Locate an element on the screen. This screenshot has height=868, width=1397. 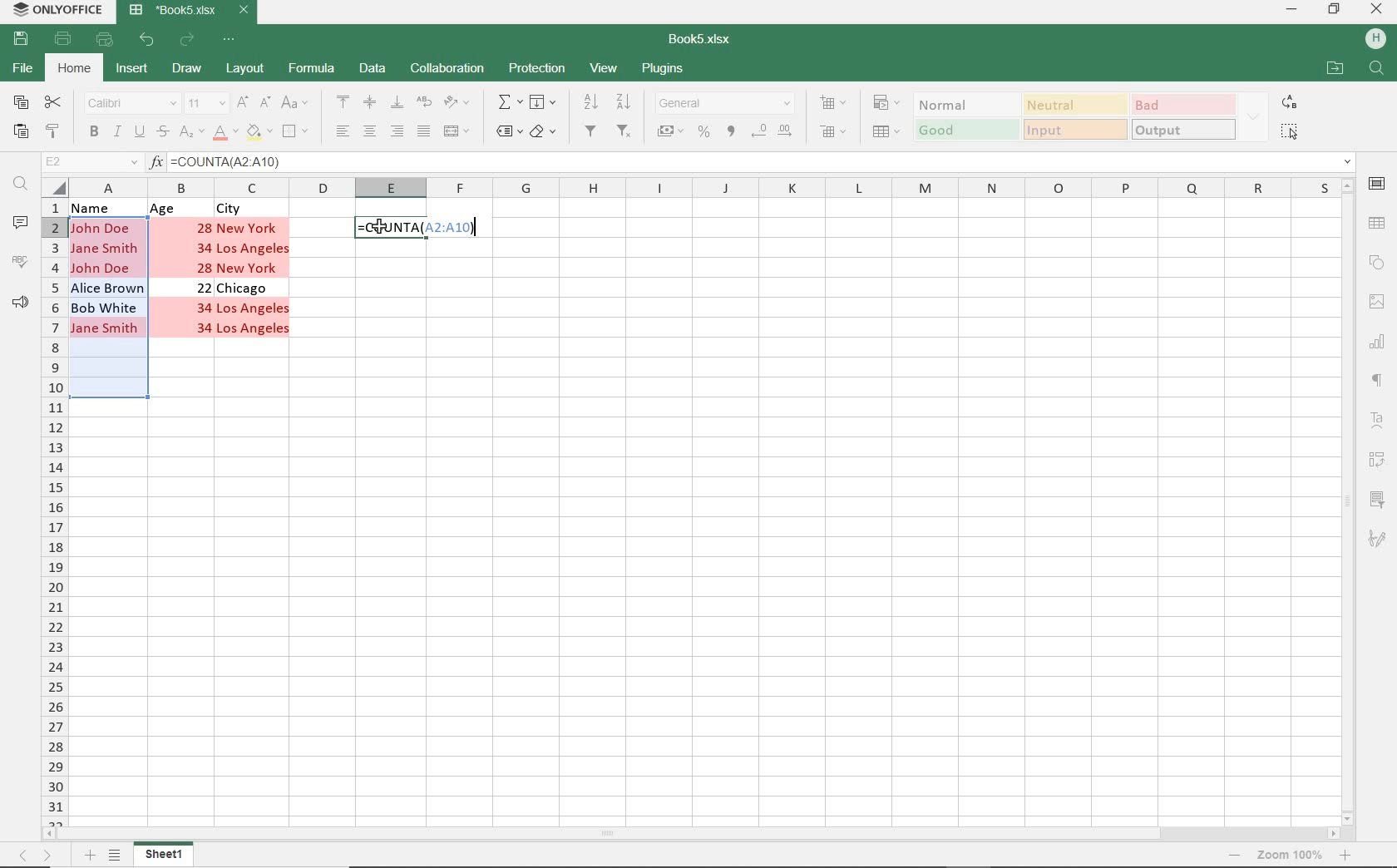
22 is located at coordinates (204, 288).